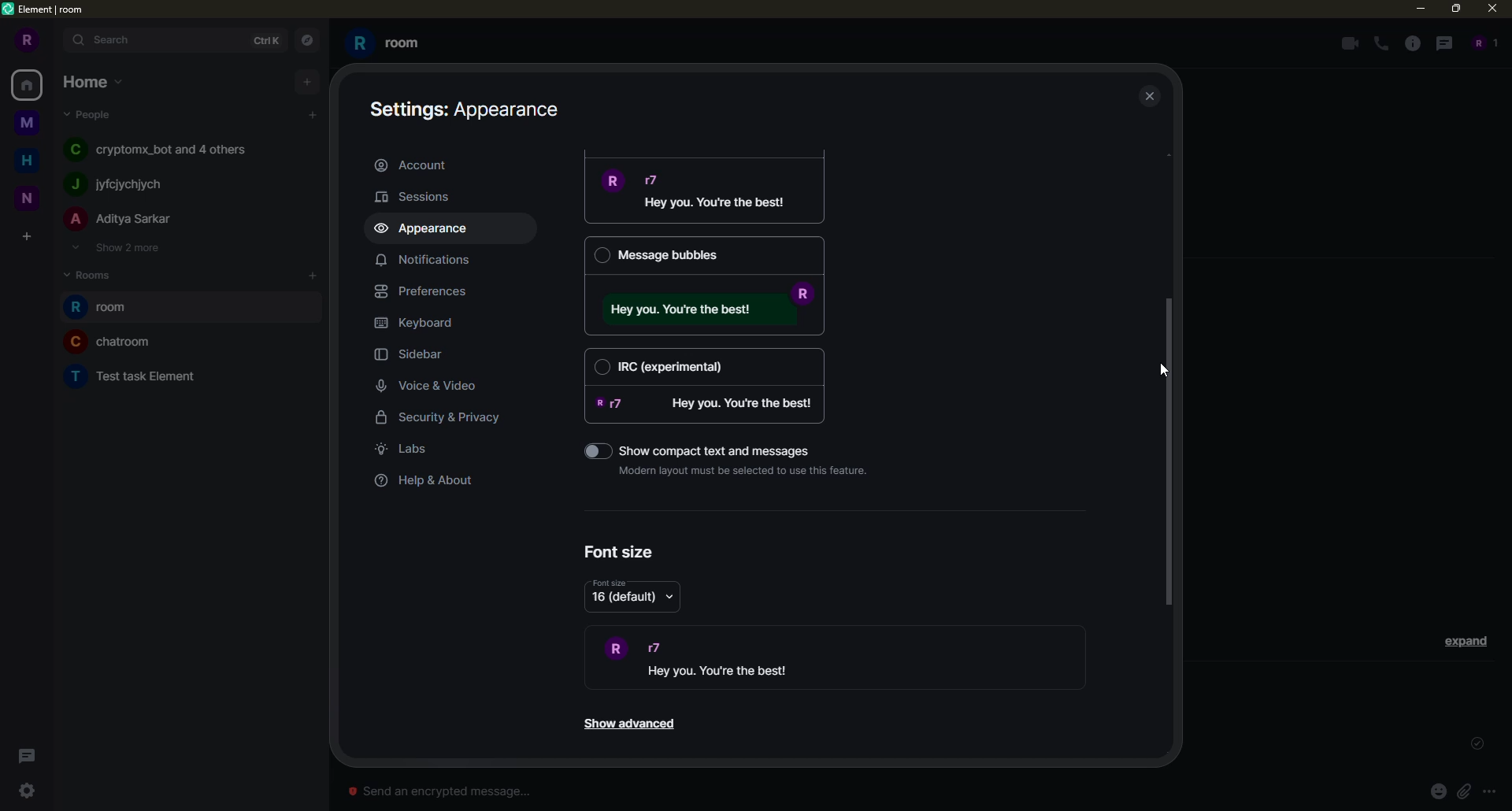  I want to click on close, so click(1495, 8).